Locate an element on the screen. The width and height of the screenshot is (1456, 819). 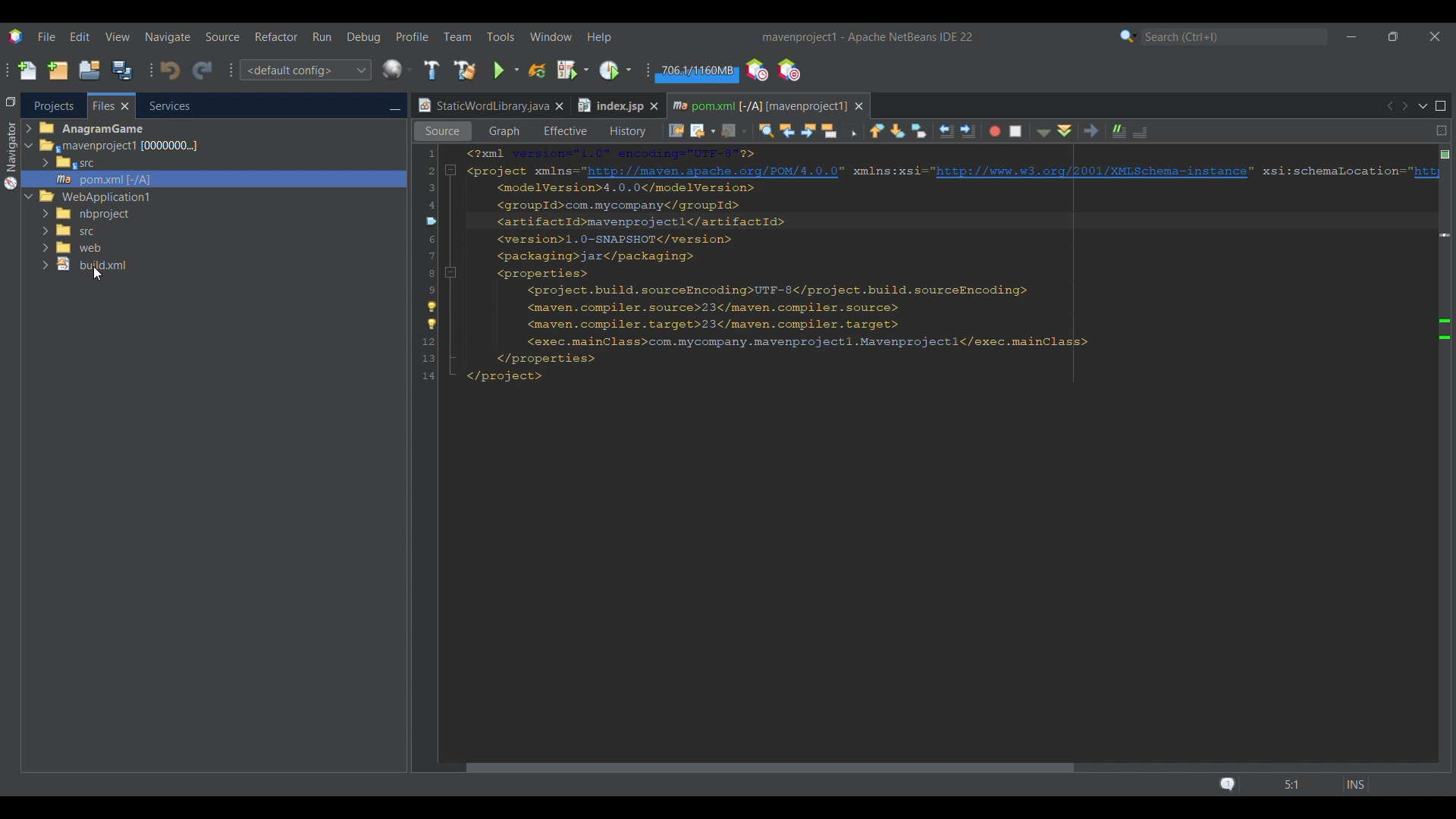
Status bar details changed is located at coordinates (1316, 785).